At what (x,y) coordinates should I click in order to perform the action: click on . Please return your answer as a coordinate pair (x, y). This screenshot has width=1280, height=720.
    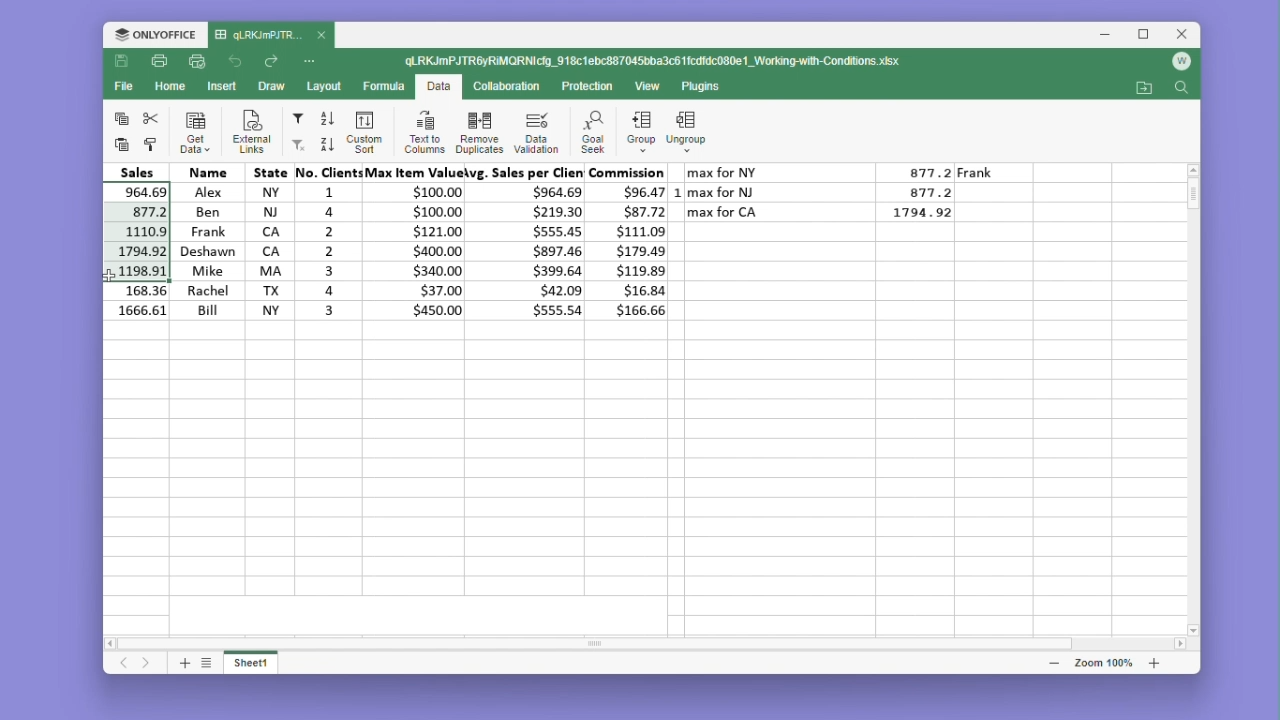
    Looking at the image, I should click on (647, 86).